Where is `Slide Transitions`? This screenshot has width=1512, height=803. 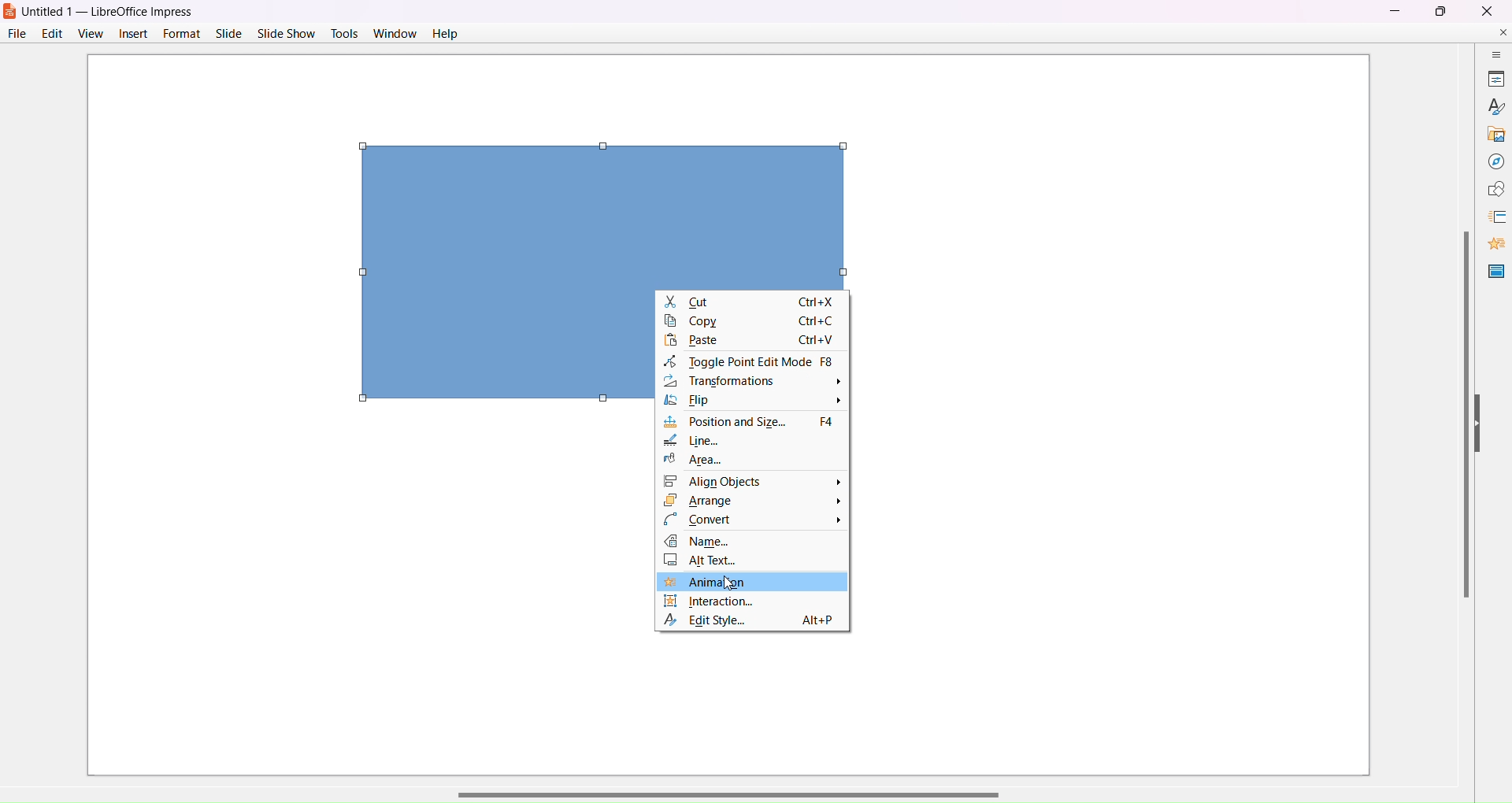 Slide Transitions is located at coordinates (1491, 216).